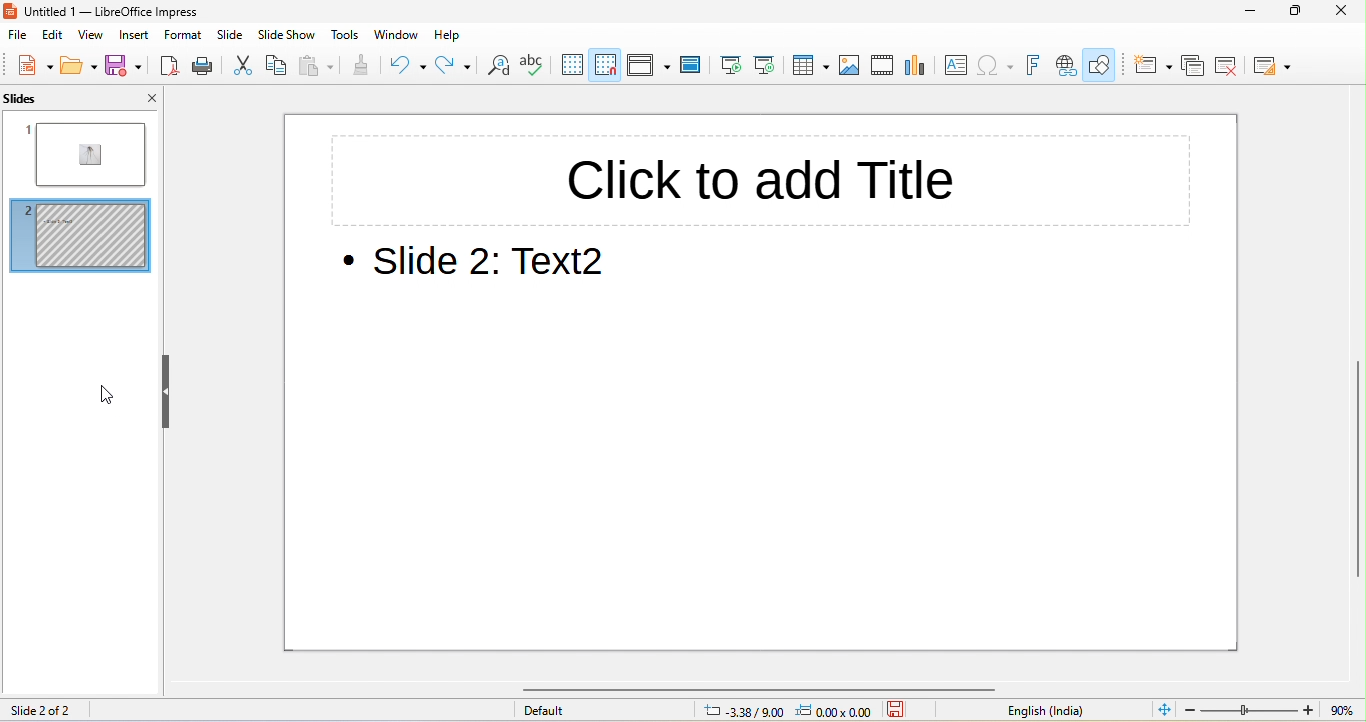 Image resolution: width=1366 pixels, height=722 pixels. What do you see at coordinates (393, 36) in the screenshot?
I see `window` at bounding box center [393, 36].